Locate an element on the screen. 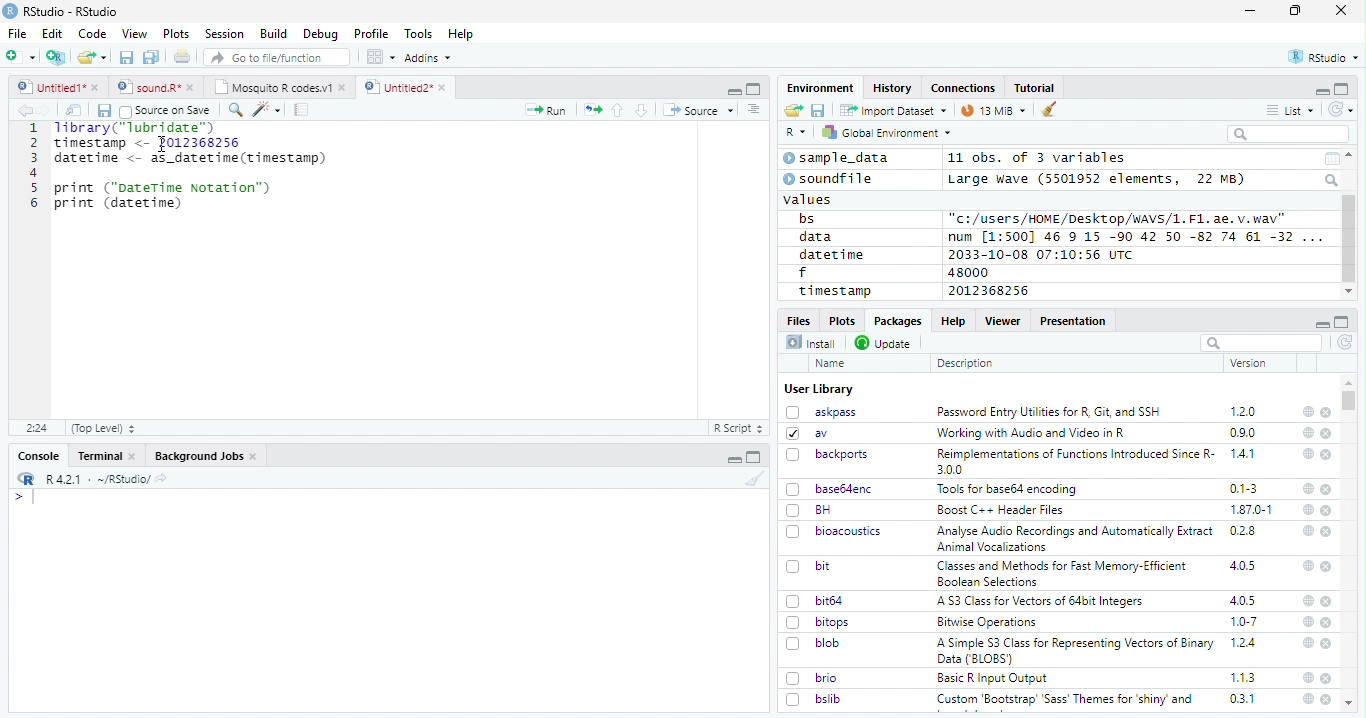 The width and height of the screenshot is (1366, 718). help is located at coordinates (1306, 642).